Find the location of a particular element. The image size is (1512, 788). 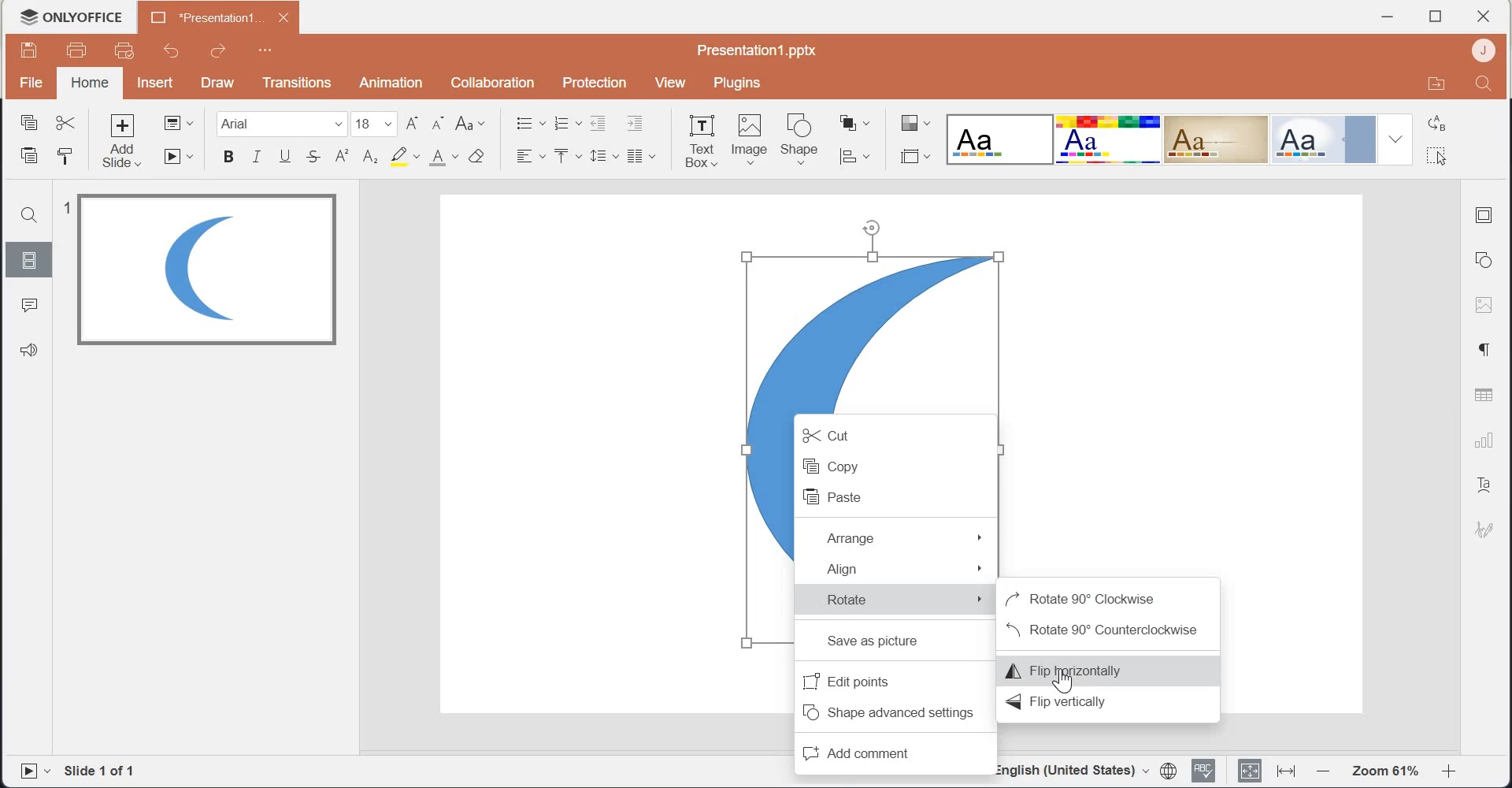

Highlight color is located at coordinates (406, 156).